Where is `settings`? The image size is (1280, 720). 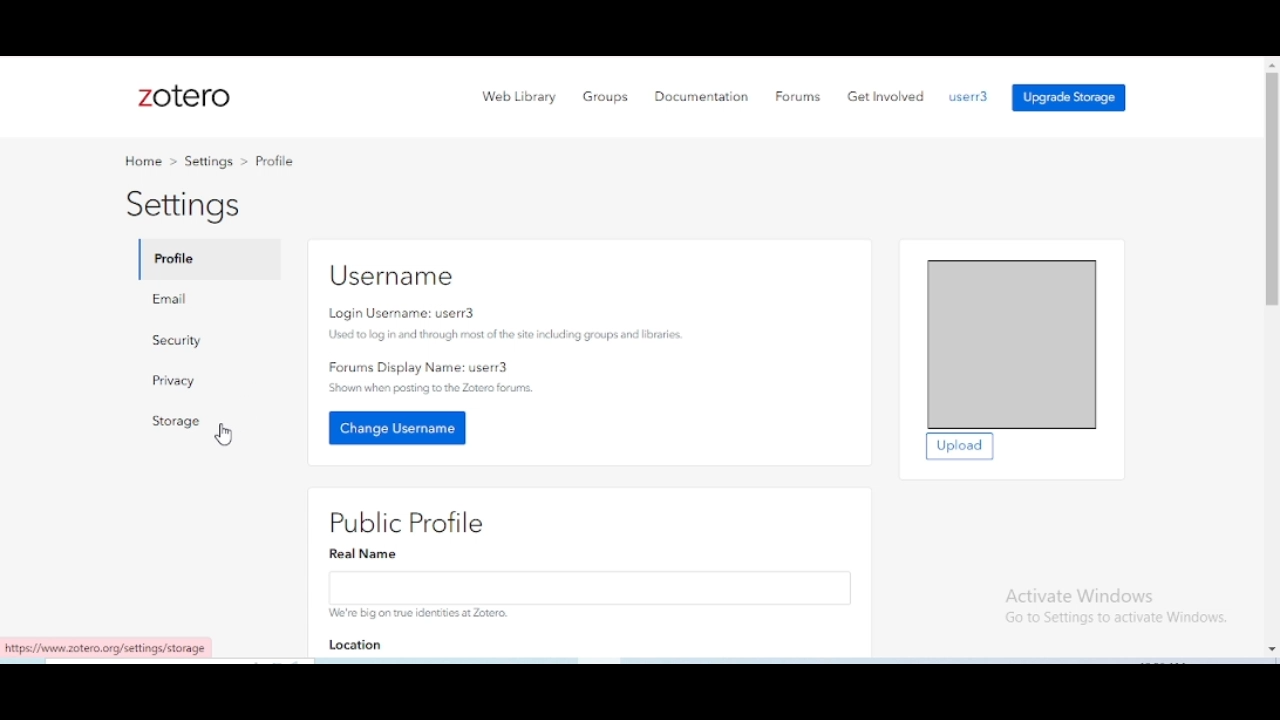 settings is located at coordinates (210, 161).